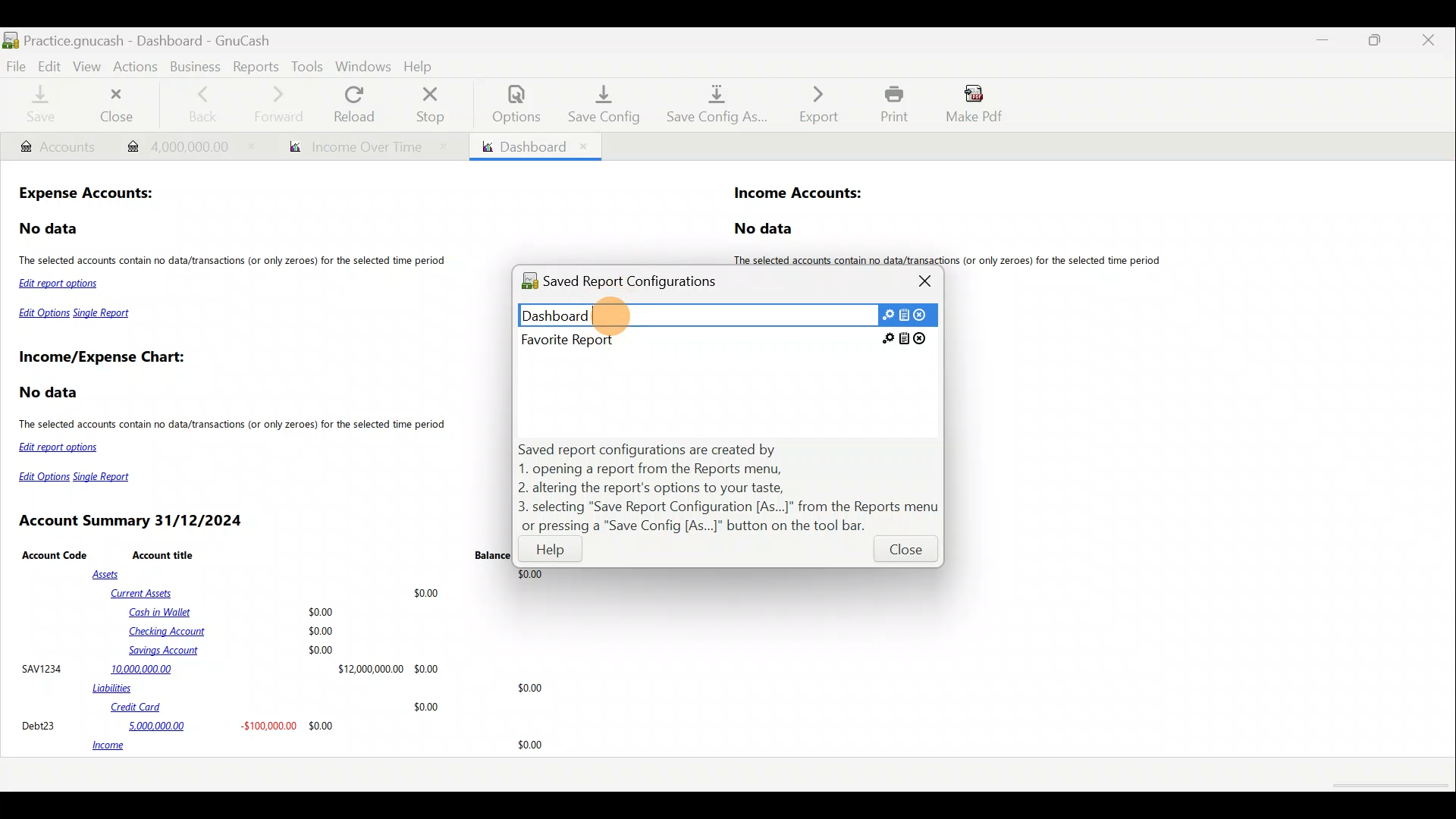  Describe the element at coordinates (202, 102) in the screenshot. I see `Back` at that location.